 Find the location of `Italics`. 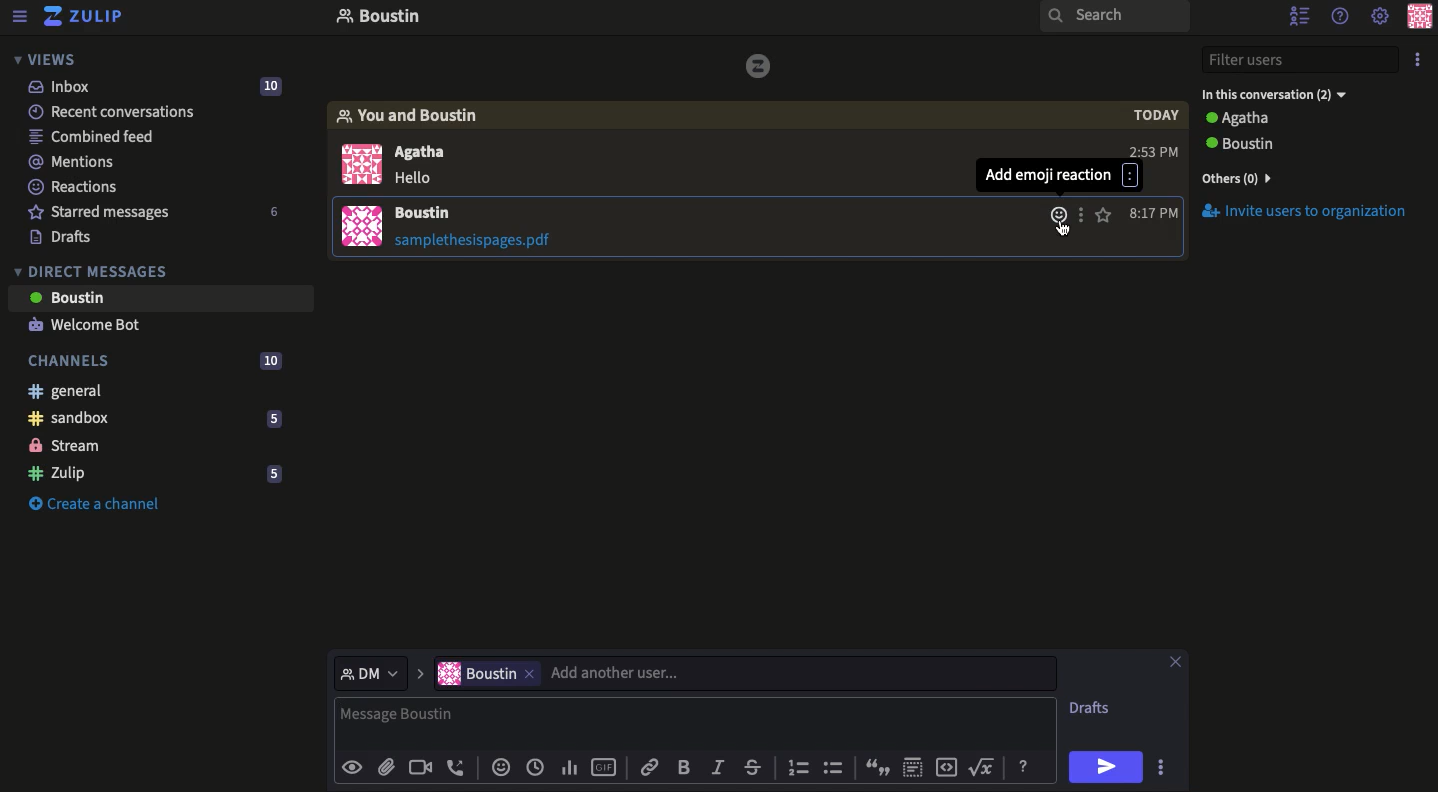

Italics is located at coordinates (717, 766).